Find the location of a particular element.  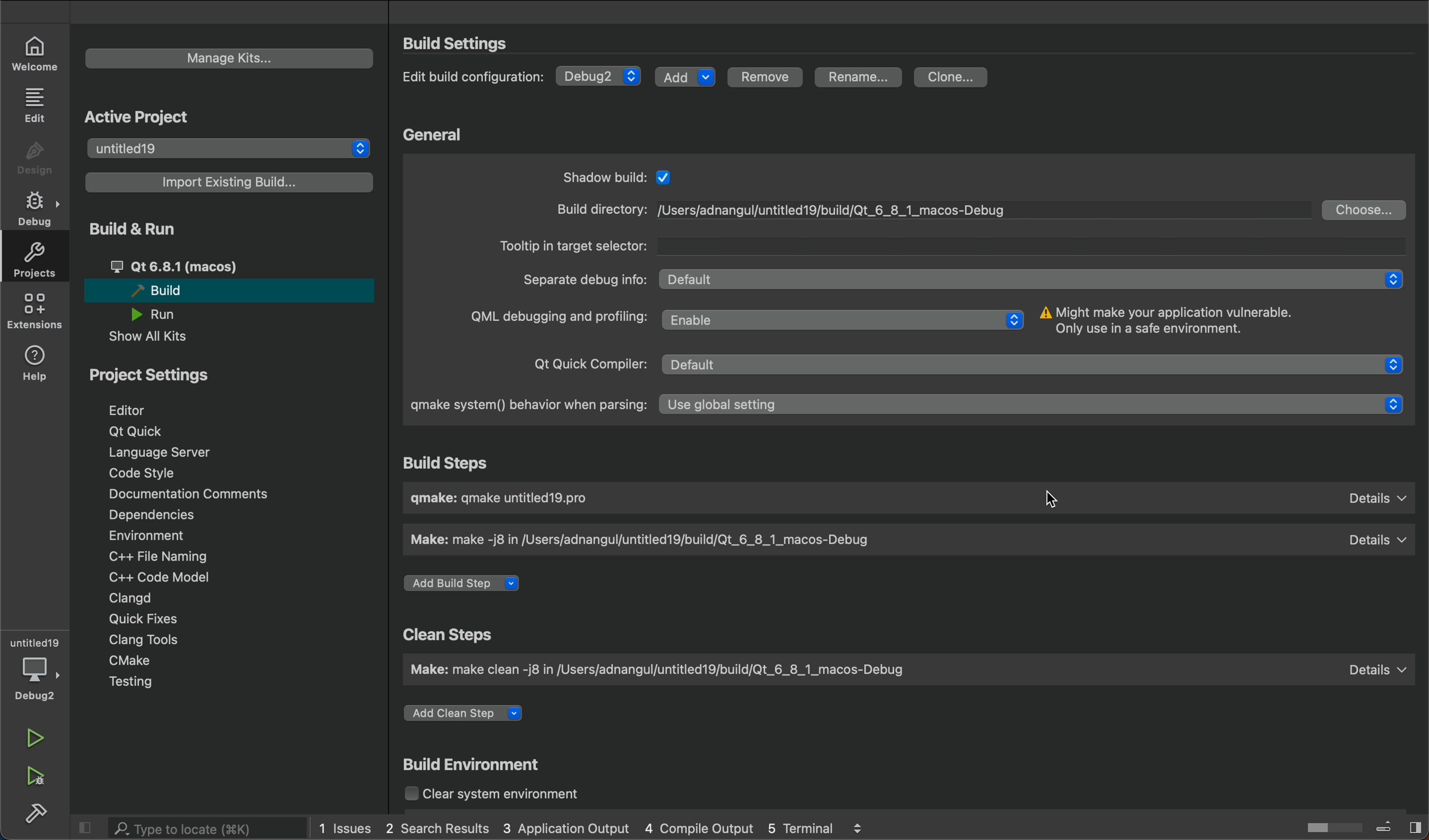

clean steps is located at coordinates (452, 635).